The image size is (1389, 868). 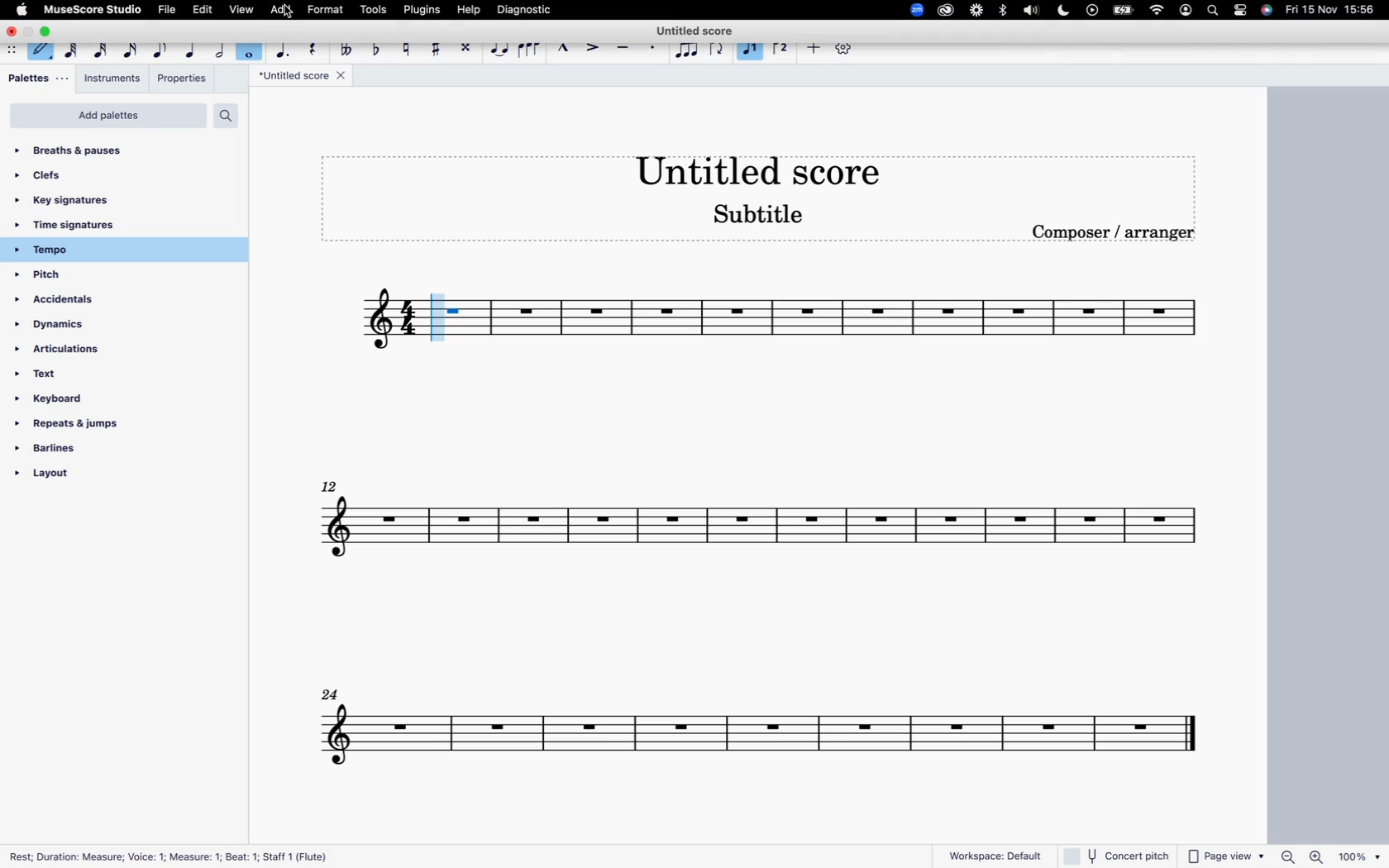 I want to click on text, so click(x=84, y=377).